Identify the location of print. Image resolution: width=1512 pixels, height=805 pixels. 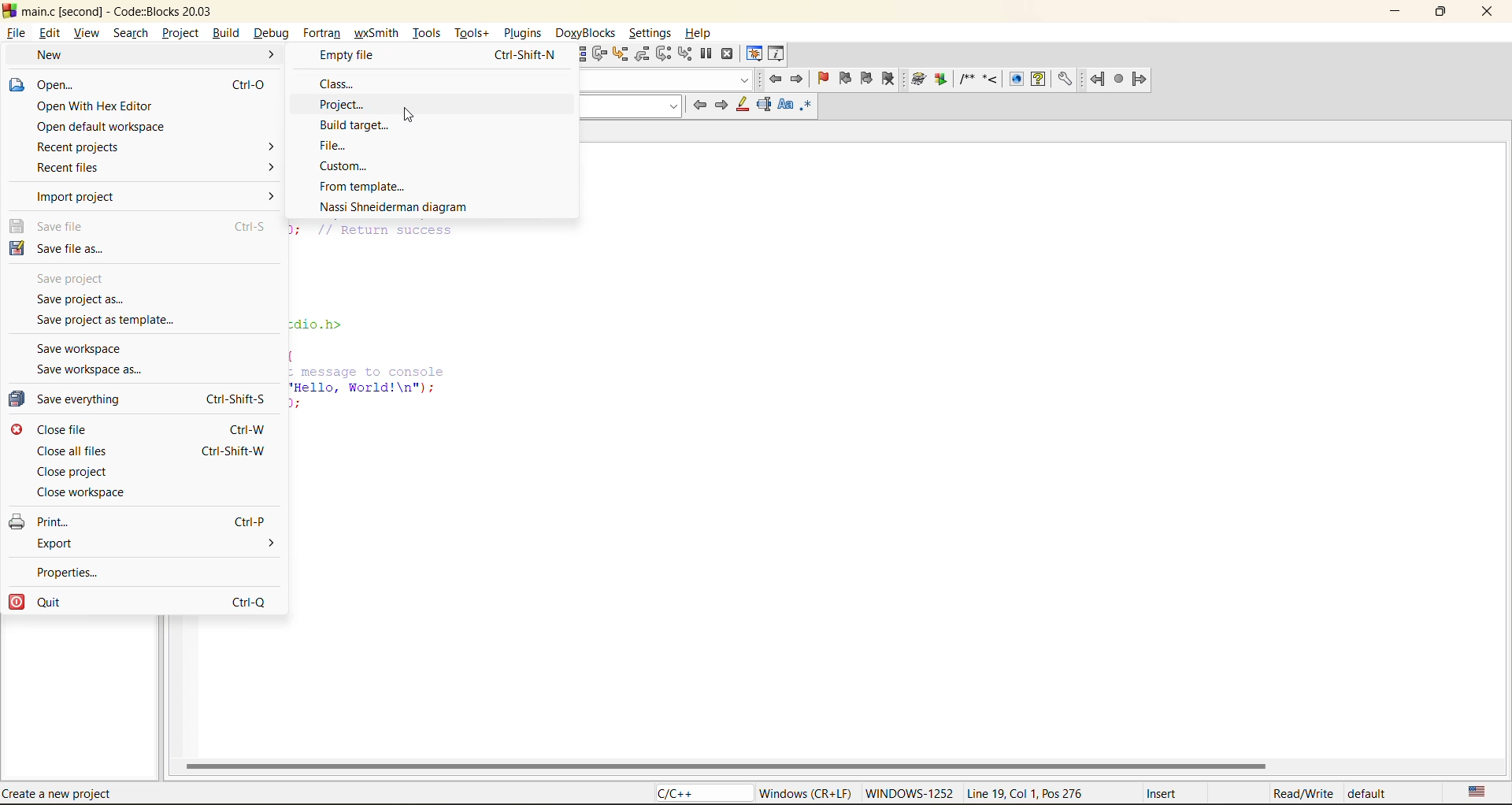
(44, 521).